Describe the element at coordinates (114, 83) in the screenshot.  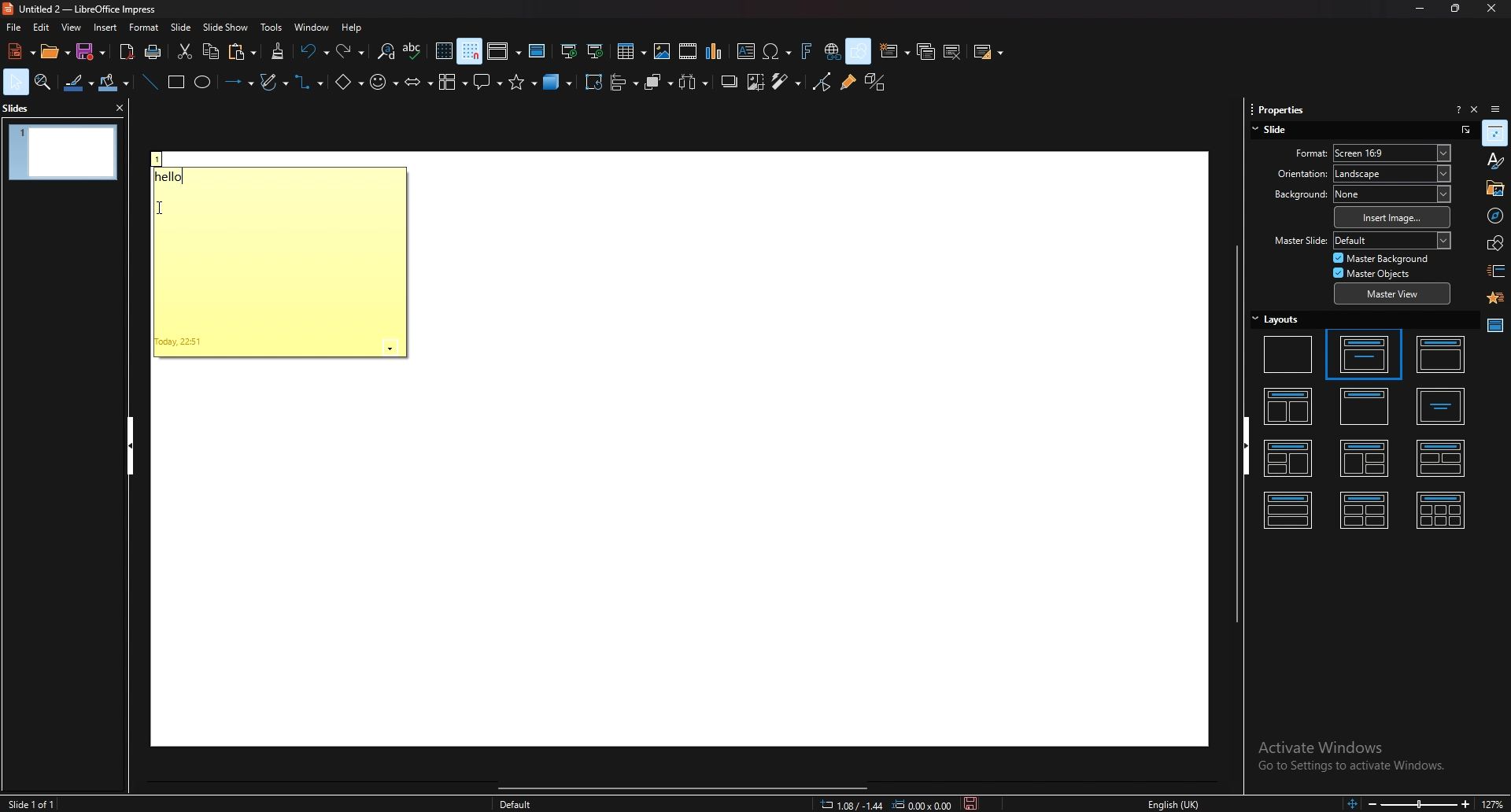
I see `fill color` at that location.